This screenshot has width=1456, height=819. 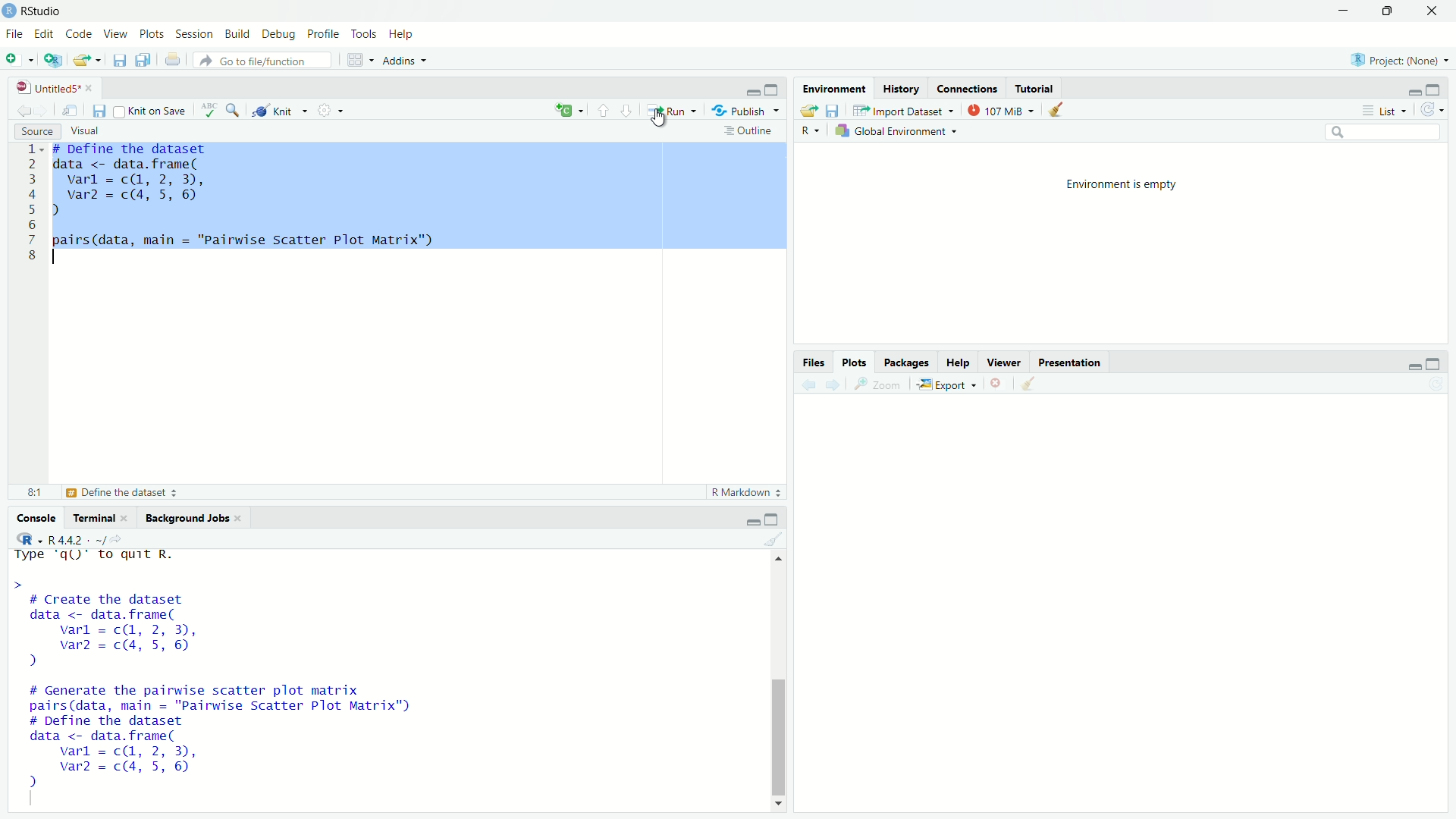 What do you see at coordinates (875, 382) in the screenshot?
I see `Zoom` at bounding box center [875, 382].